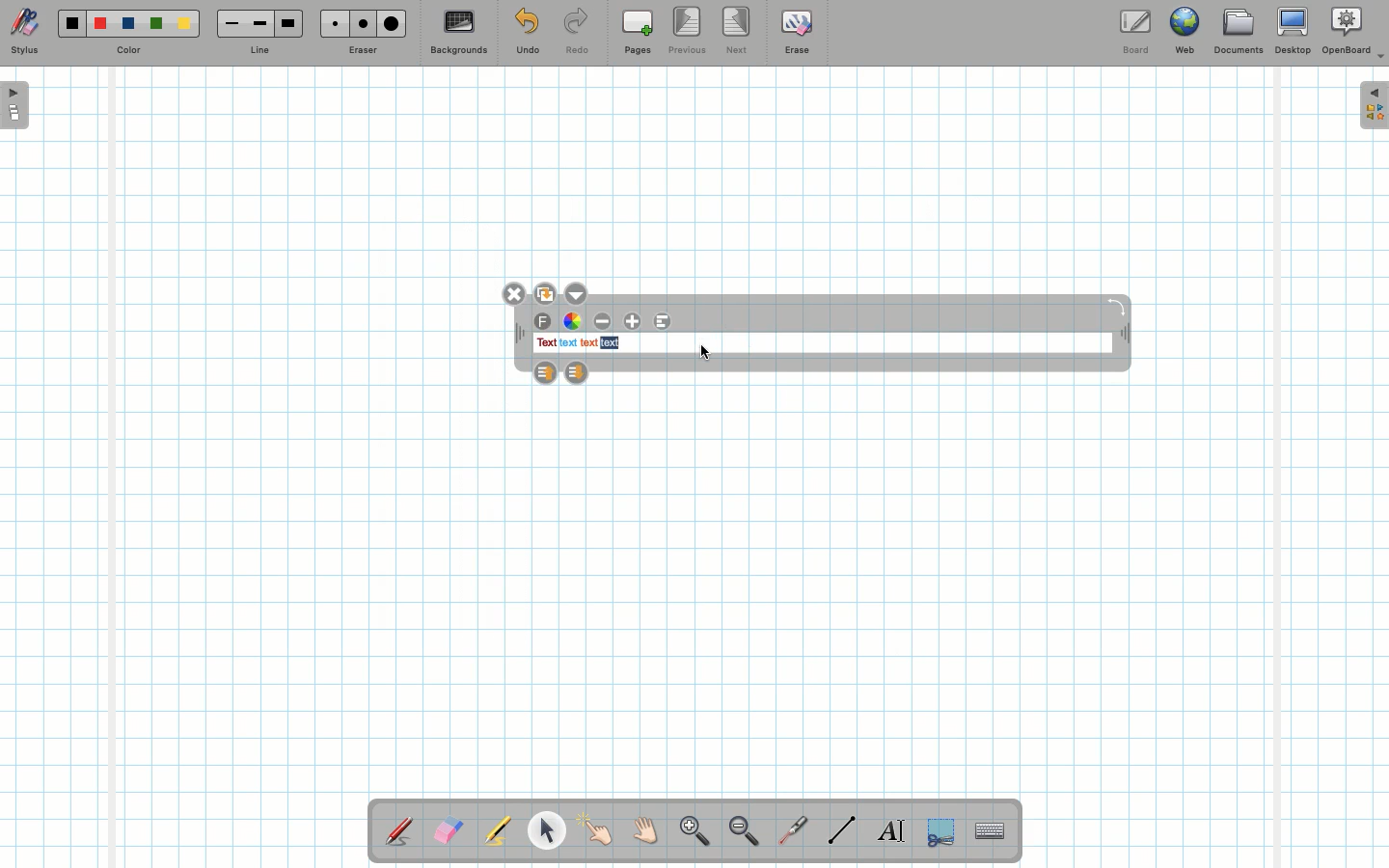 This screenshot has width=1389, height=868. What do you see at coordinates (289, 23) in the screenshot?
I see `Large line` at bounding box center [289, 23].